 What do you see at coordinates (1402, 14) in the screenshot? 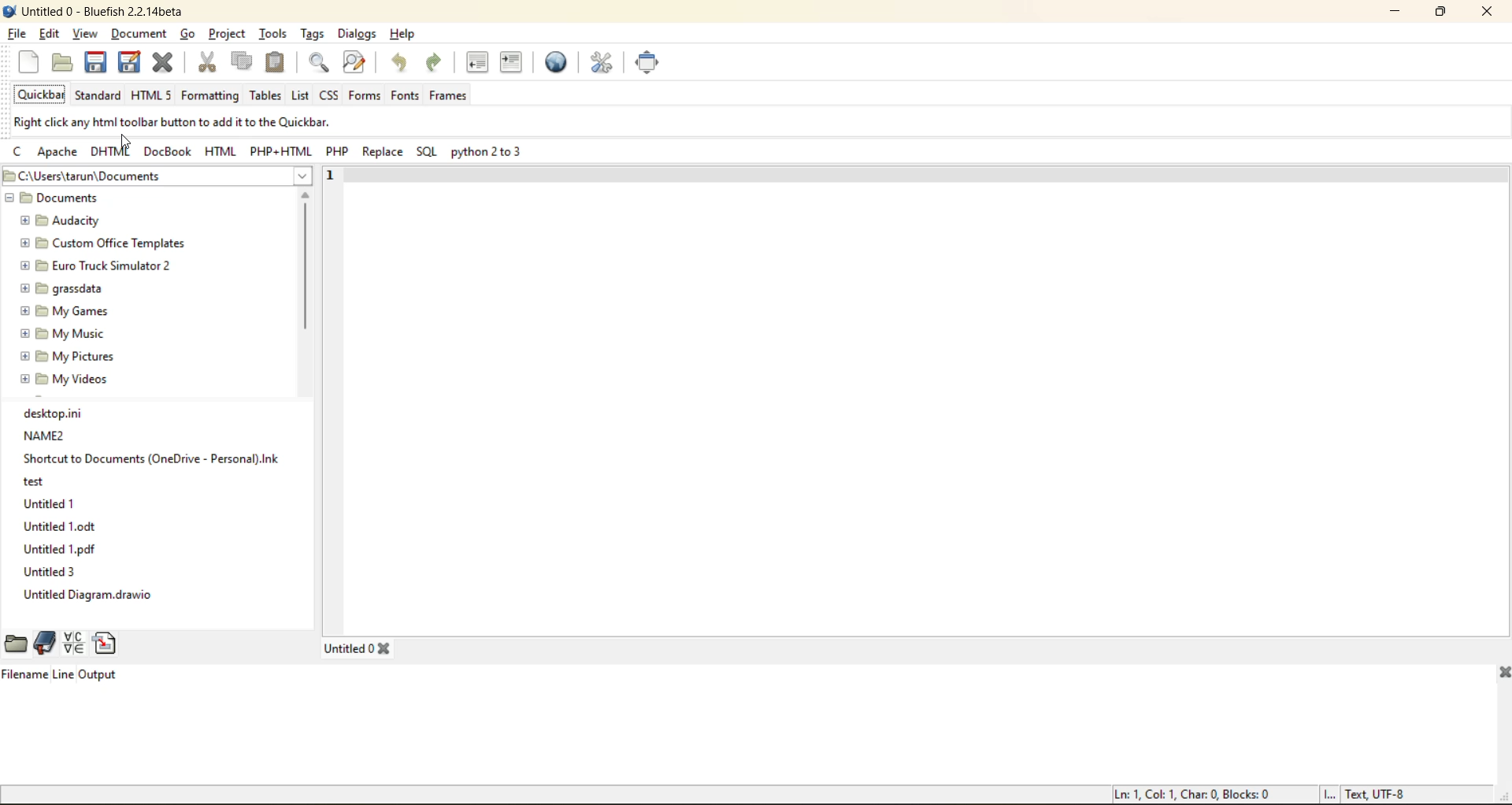
I see `minimize` at bounding box center [1402, 14].